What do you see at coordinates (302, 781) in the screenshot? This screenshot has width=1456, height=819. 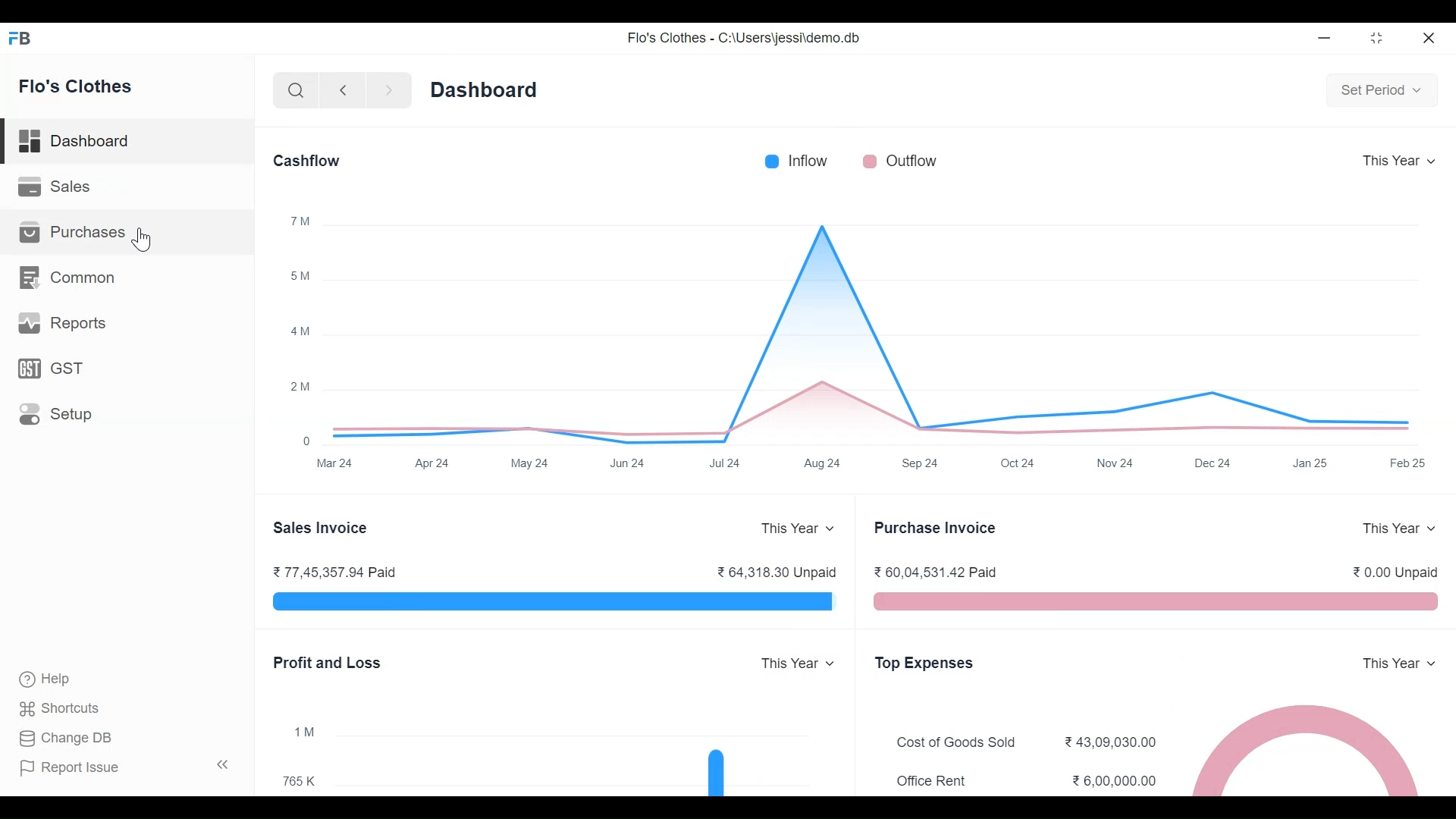 I see `765K` at bounding box center [302, 781].